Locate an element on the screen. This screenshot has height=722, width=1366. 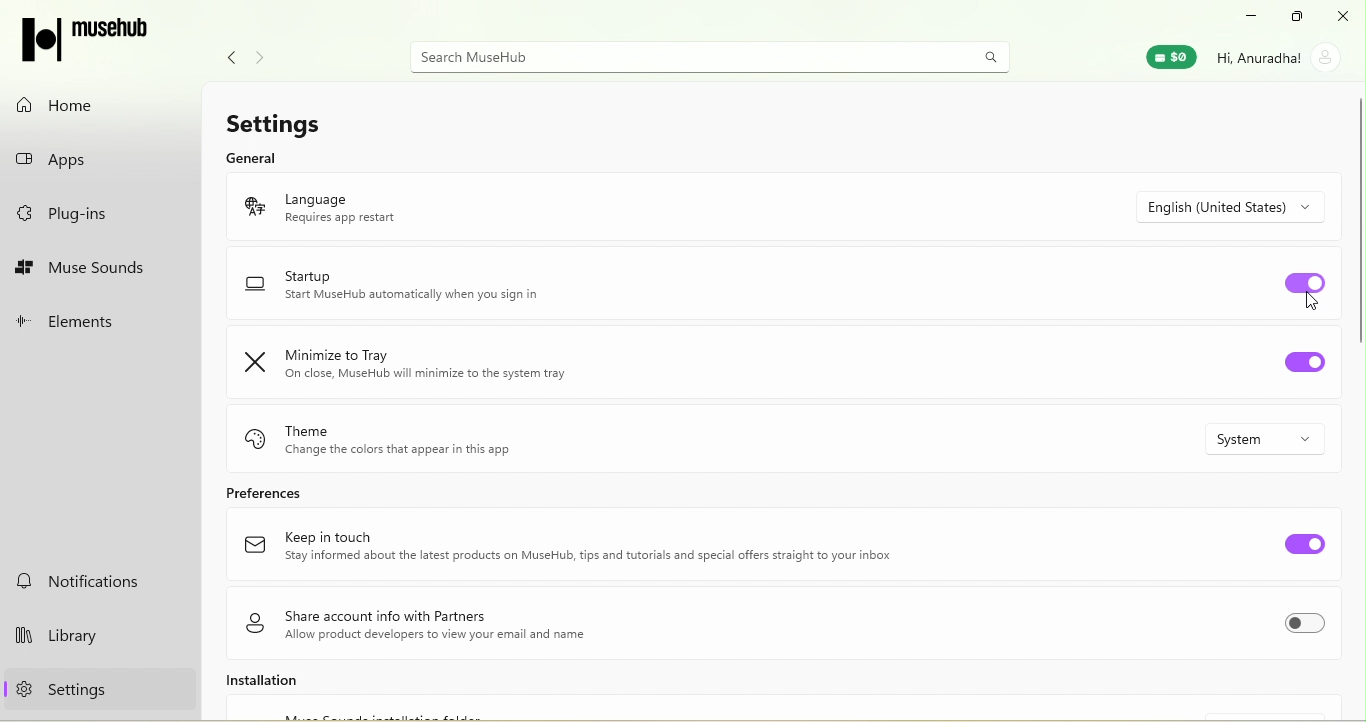
scroll bar is located at coordinates (1357, 219).